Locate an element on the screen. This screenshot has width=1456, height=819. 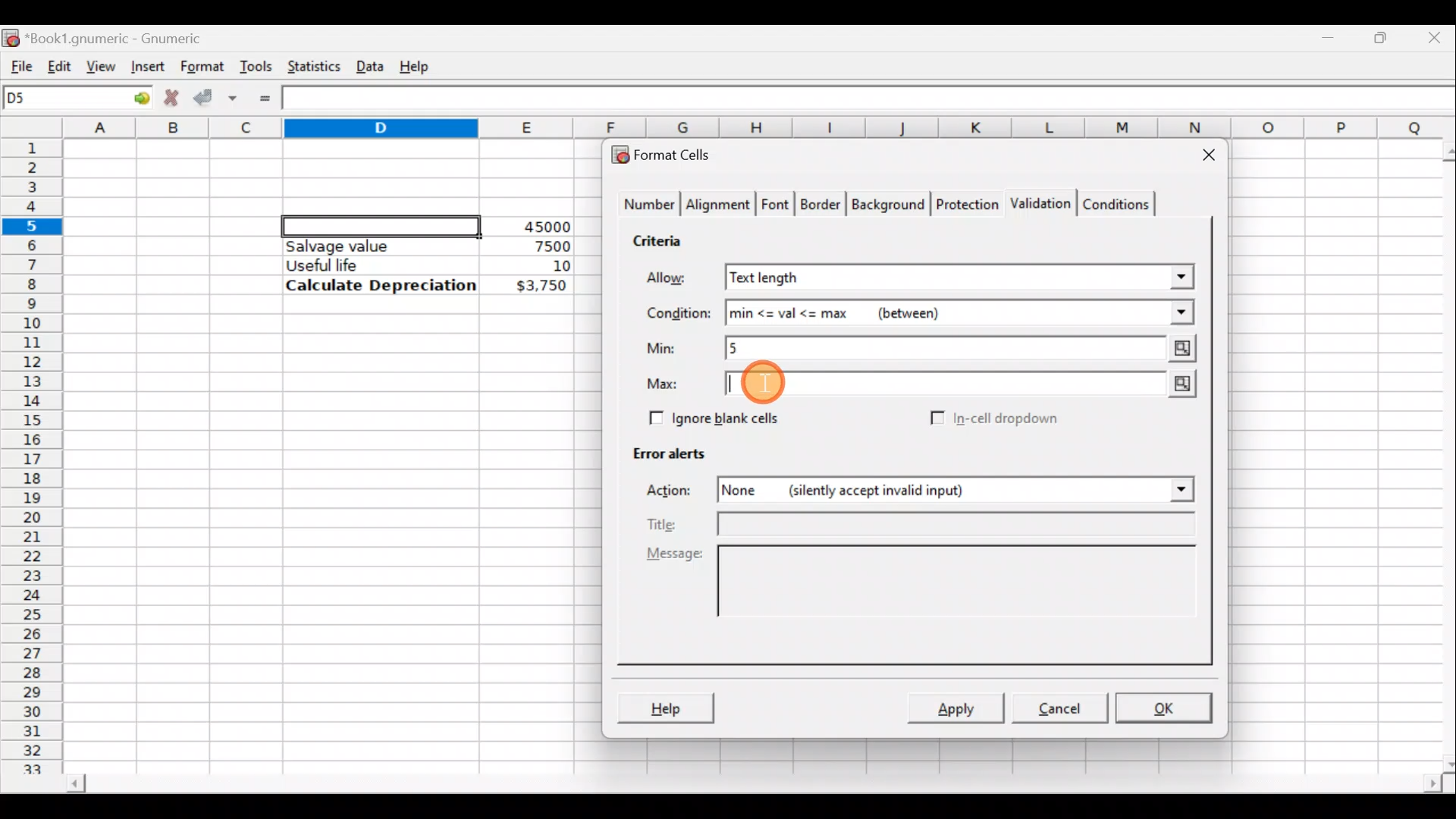
OK is located at coordinates (1166, 708).